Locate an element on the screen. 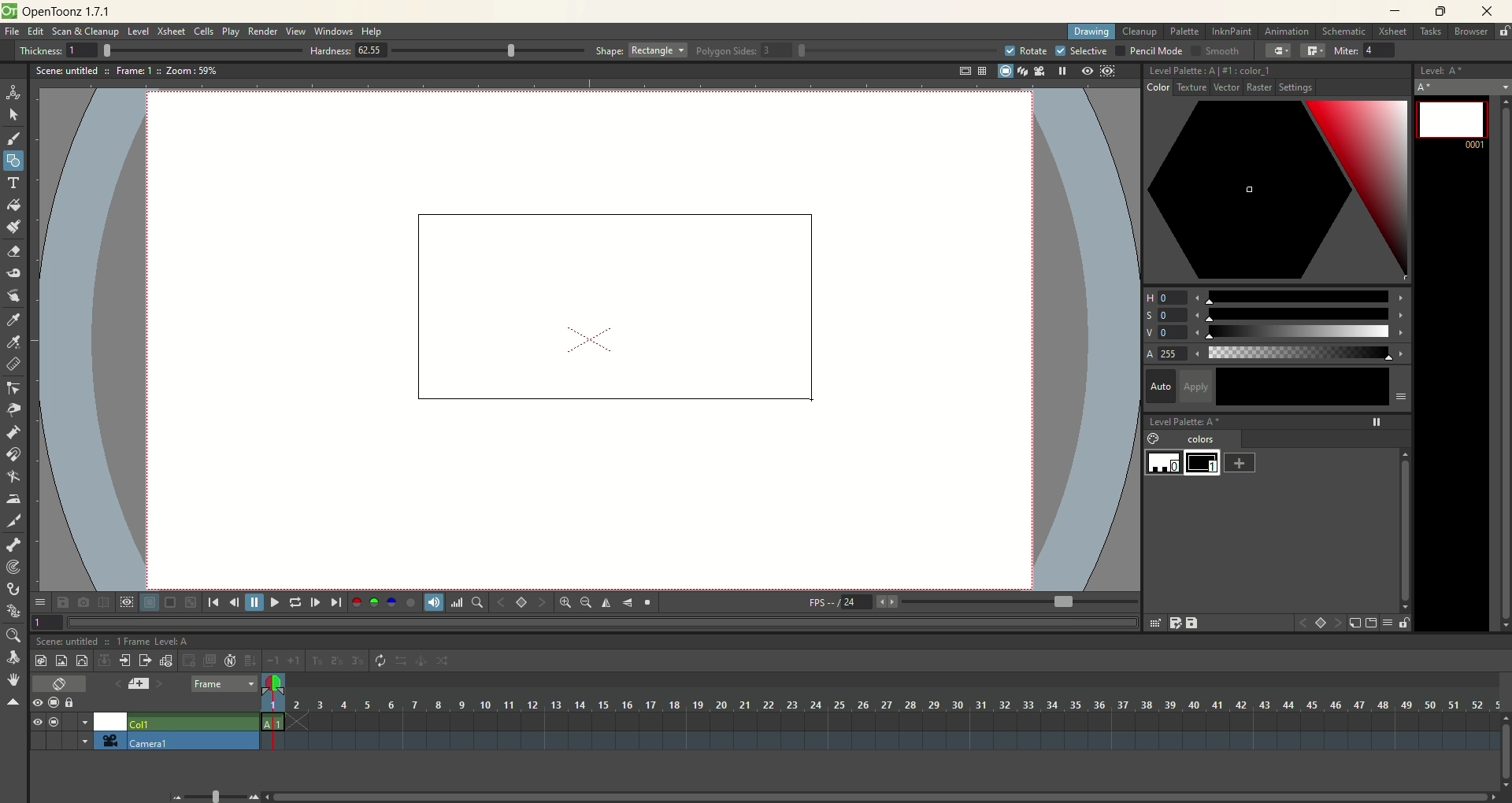 The height and width of the screenshot is (803, 1512). finger tool is located at coordinates (13, 294).